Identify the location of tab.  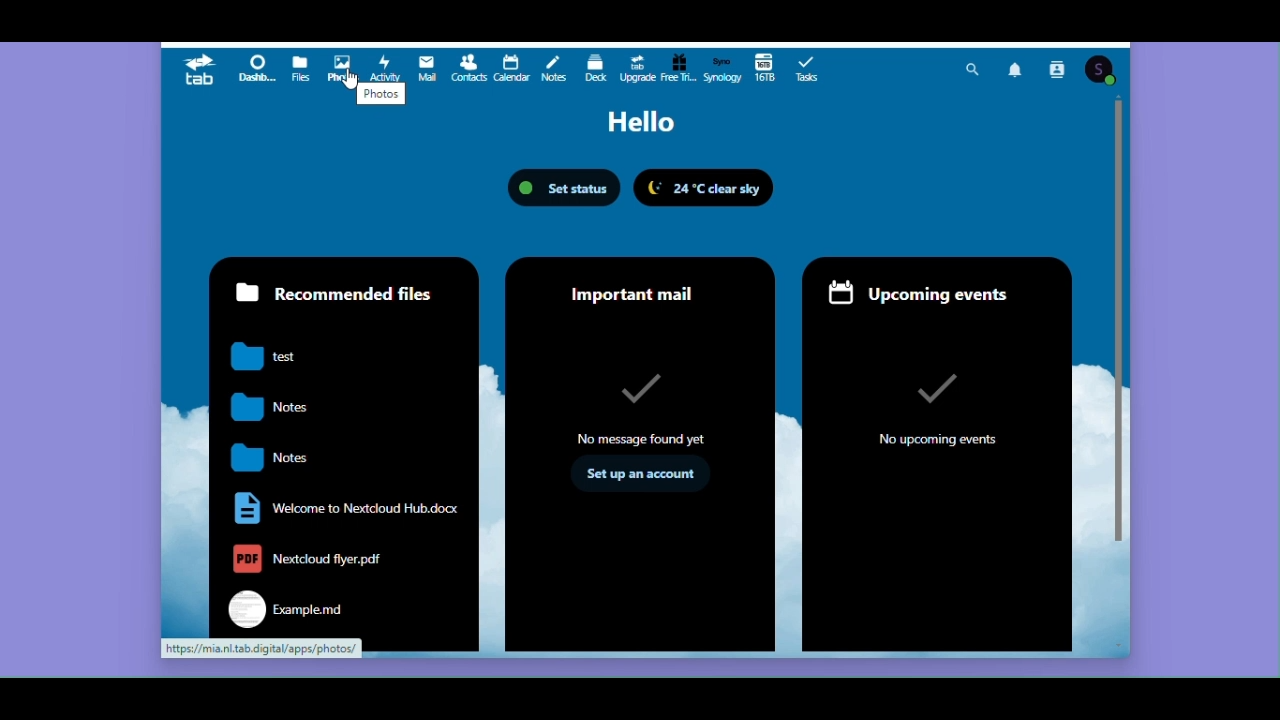
(201, 69).